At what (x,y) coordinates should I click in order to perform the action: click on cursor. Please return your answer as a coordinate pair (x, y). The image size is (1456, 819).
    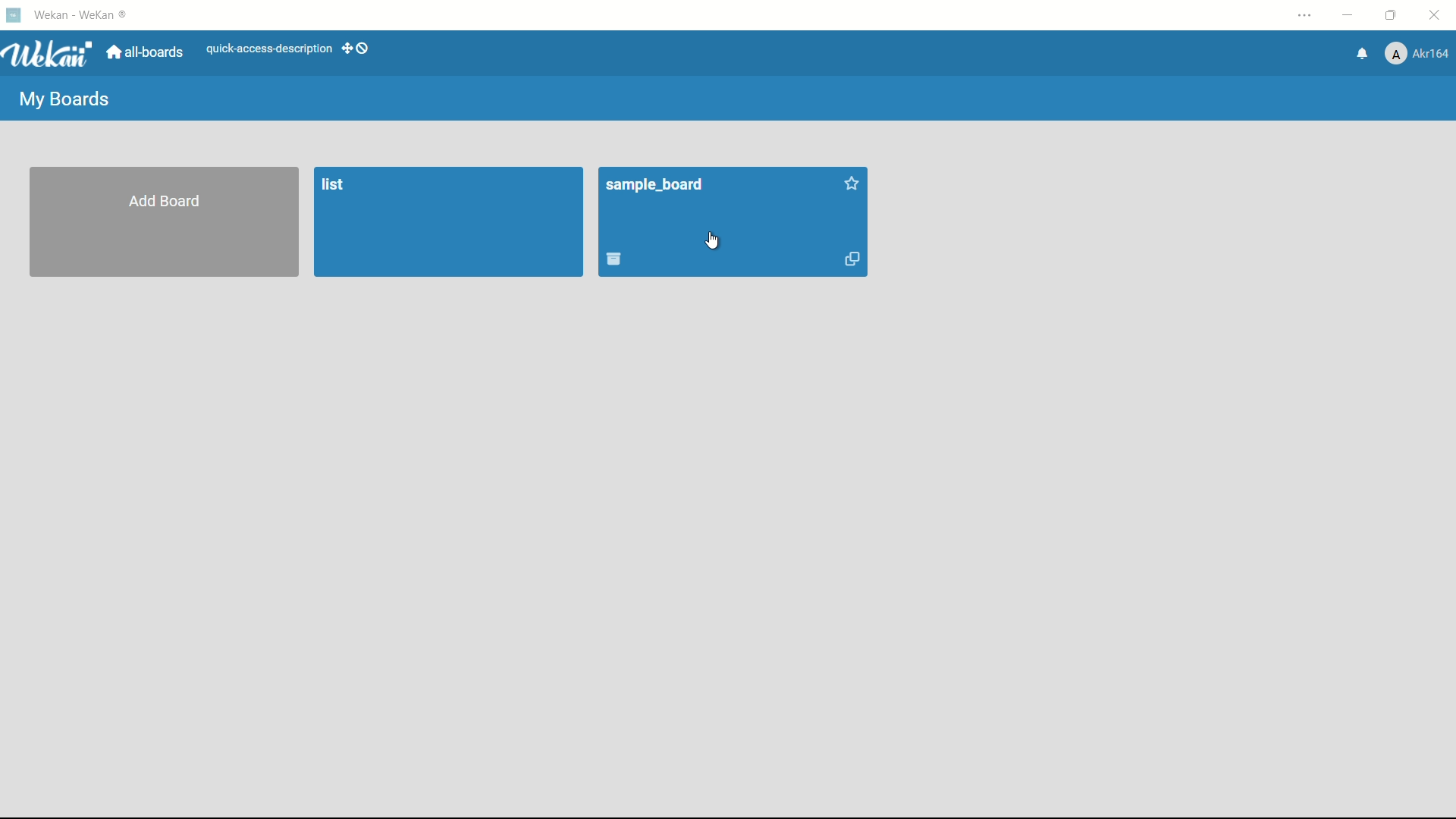
    Looking at the image, I should click on (715, 244).